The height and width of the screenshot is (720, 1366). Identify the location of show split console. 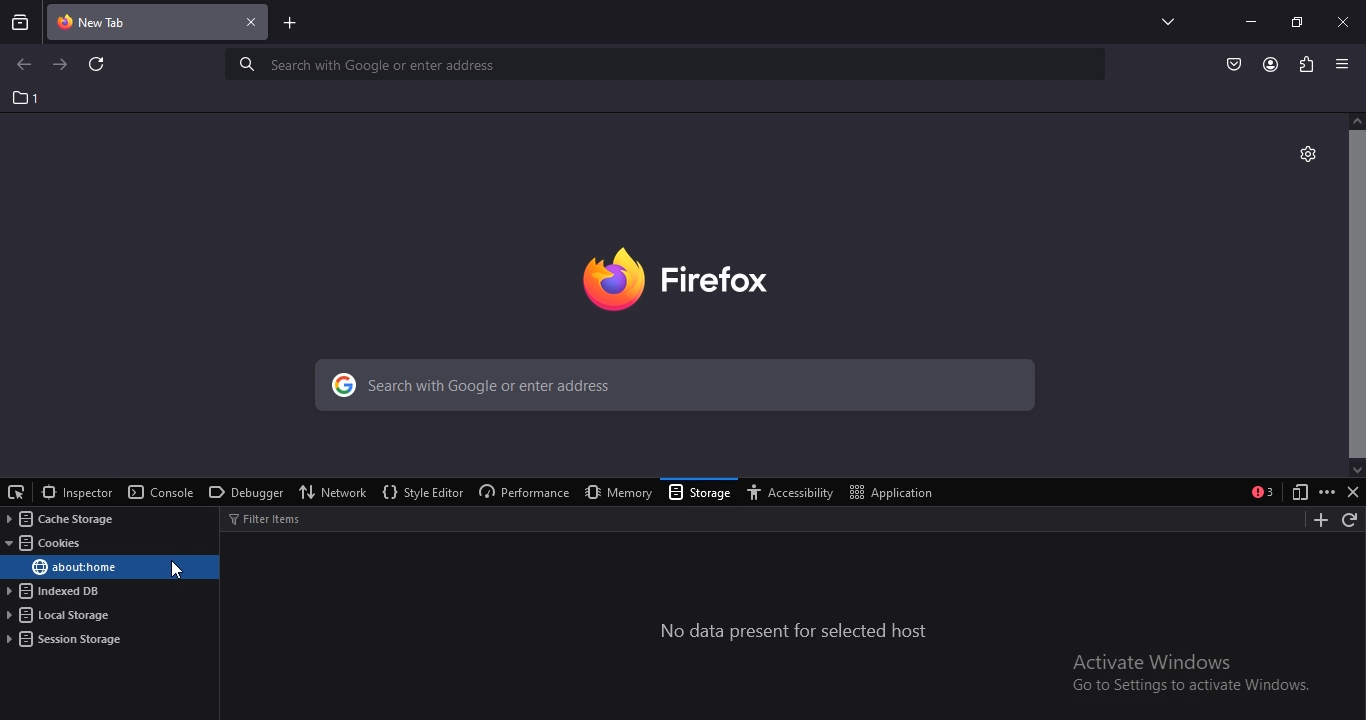
(1263, 492).